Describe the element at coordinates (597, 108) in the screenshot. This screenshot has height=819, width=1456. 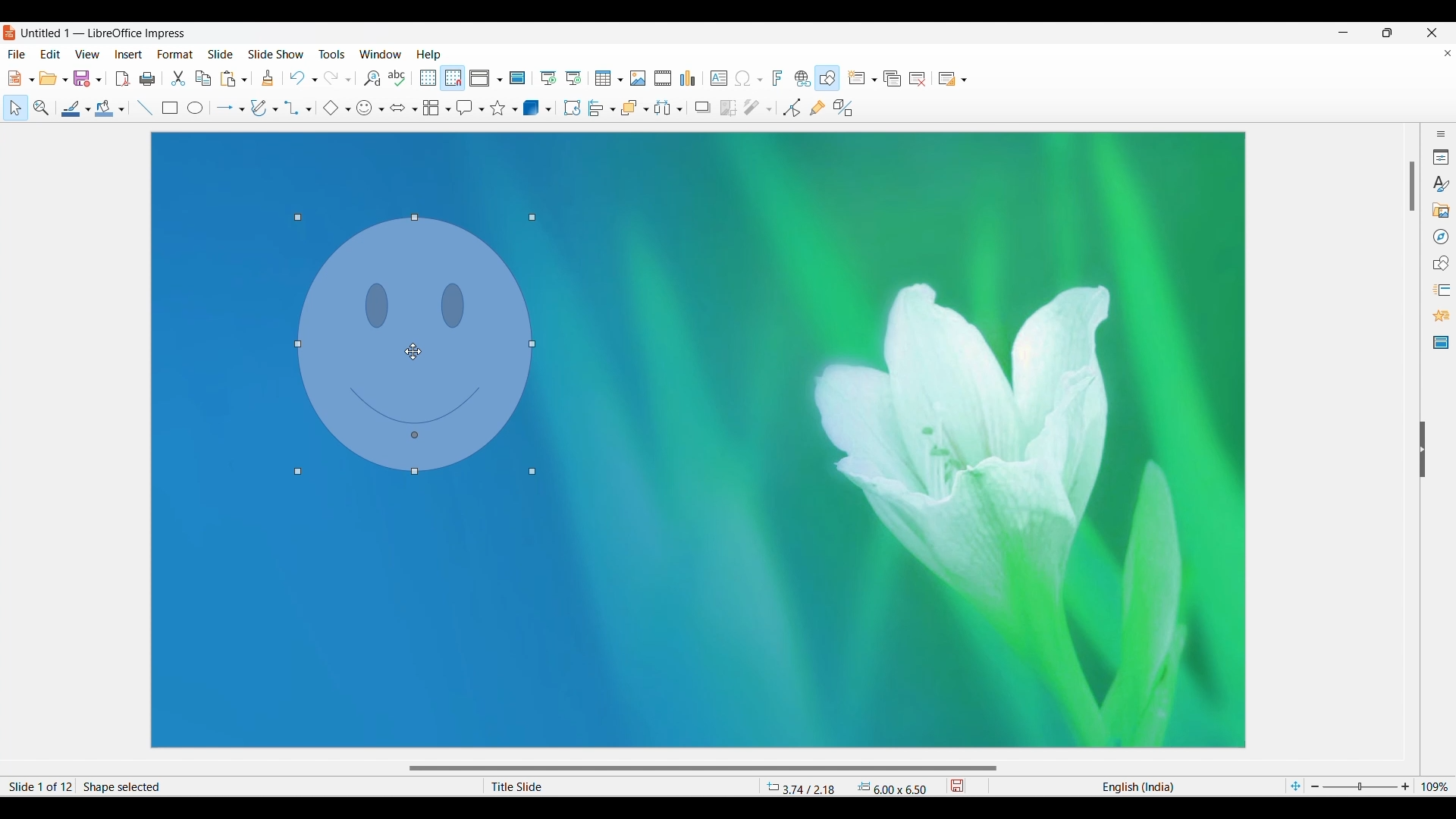
I see `Selected alignment` at that location.